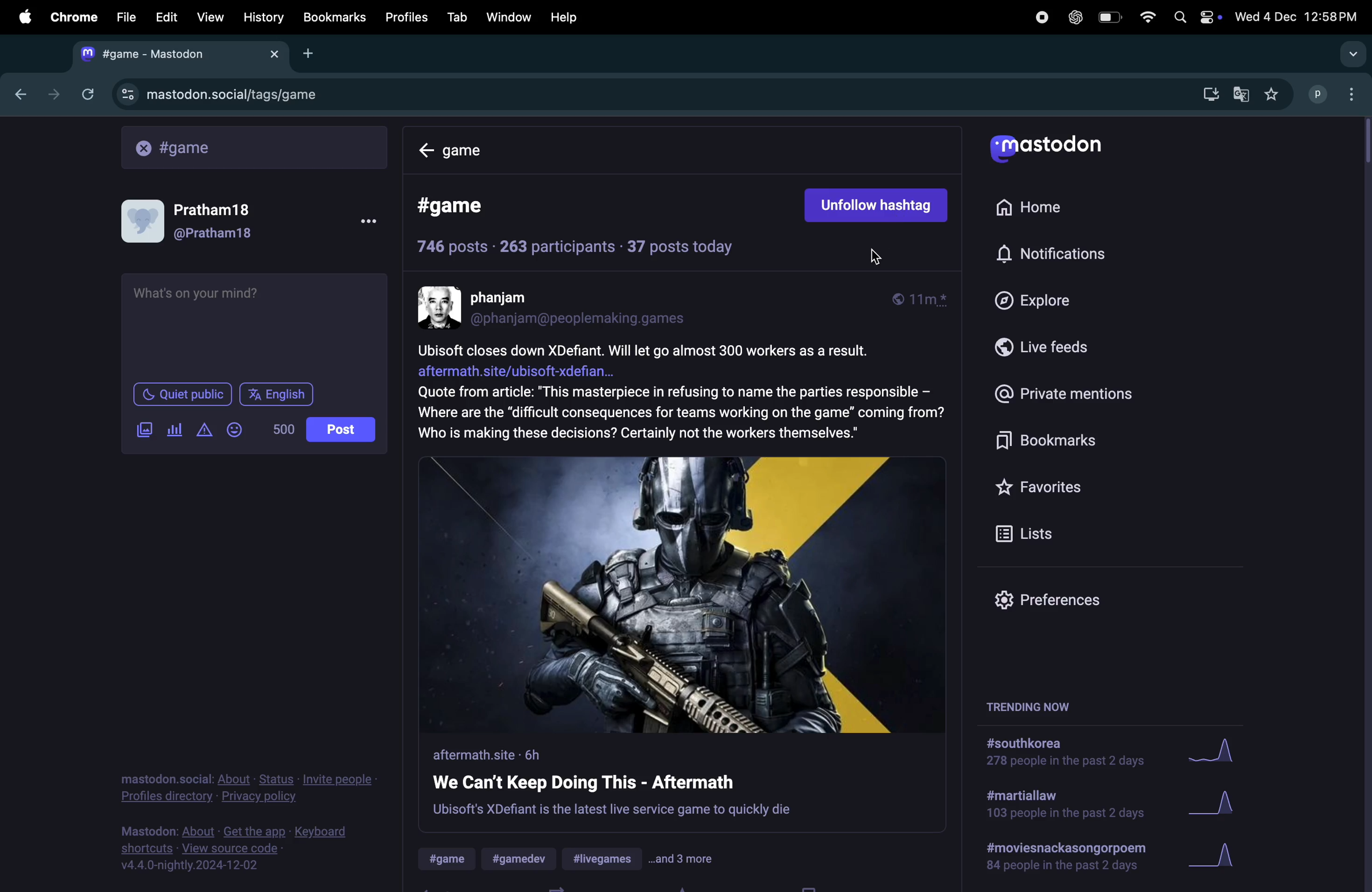 This screenshot has height=892, width=1372. What do you see at coordinates (879, 201) in the screenshot?
I see `unfollow hashtag` at bounding box center [879, 201].